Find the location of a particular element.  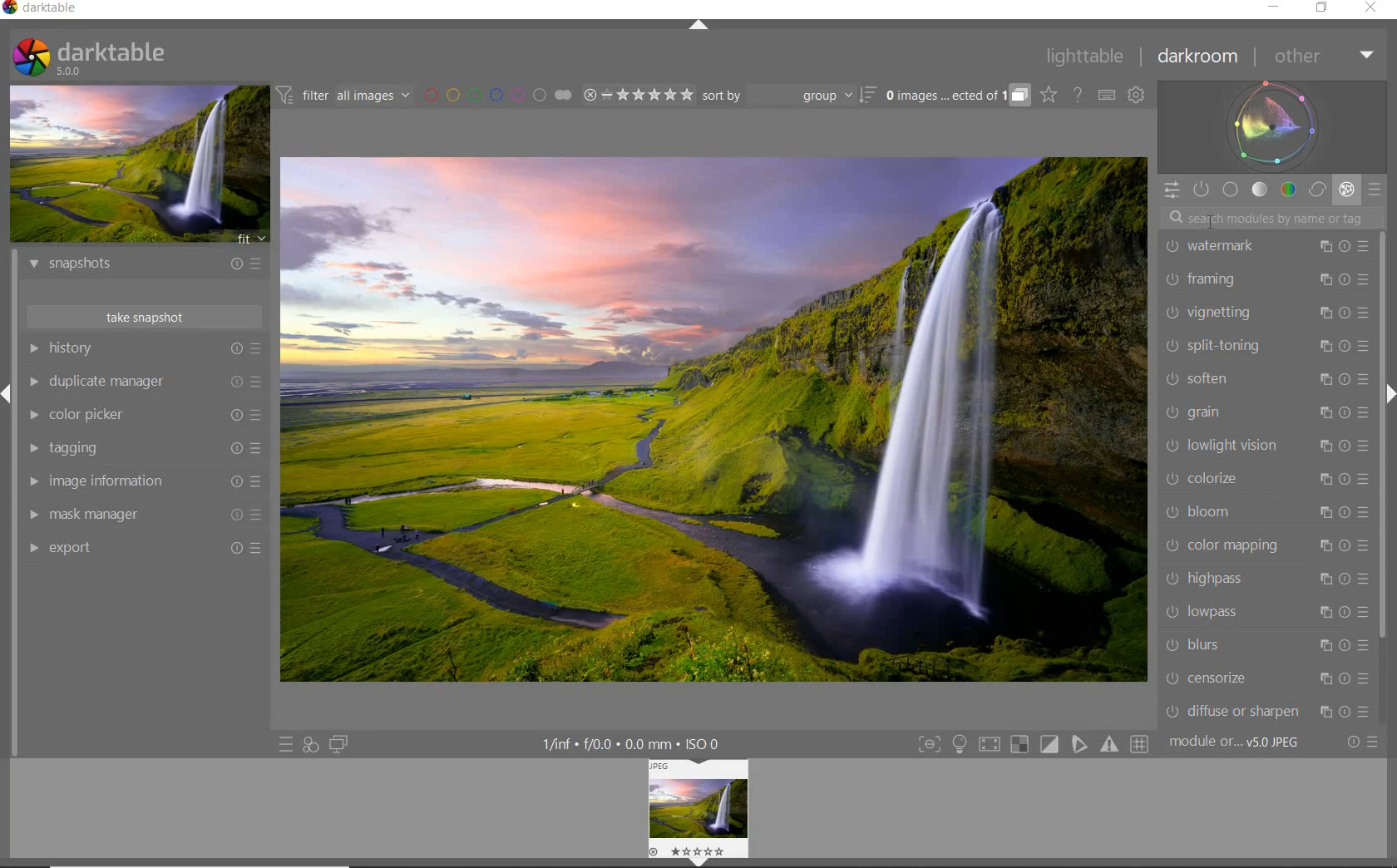

DISPLAYED GUI INFO is located at coordinates (635, 743).